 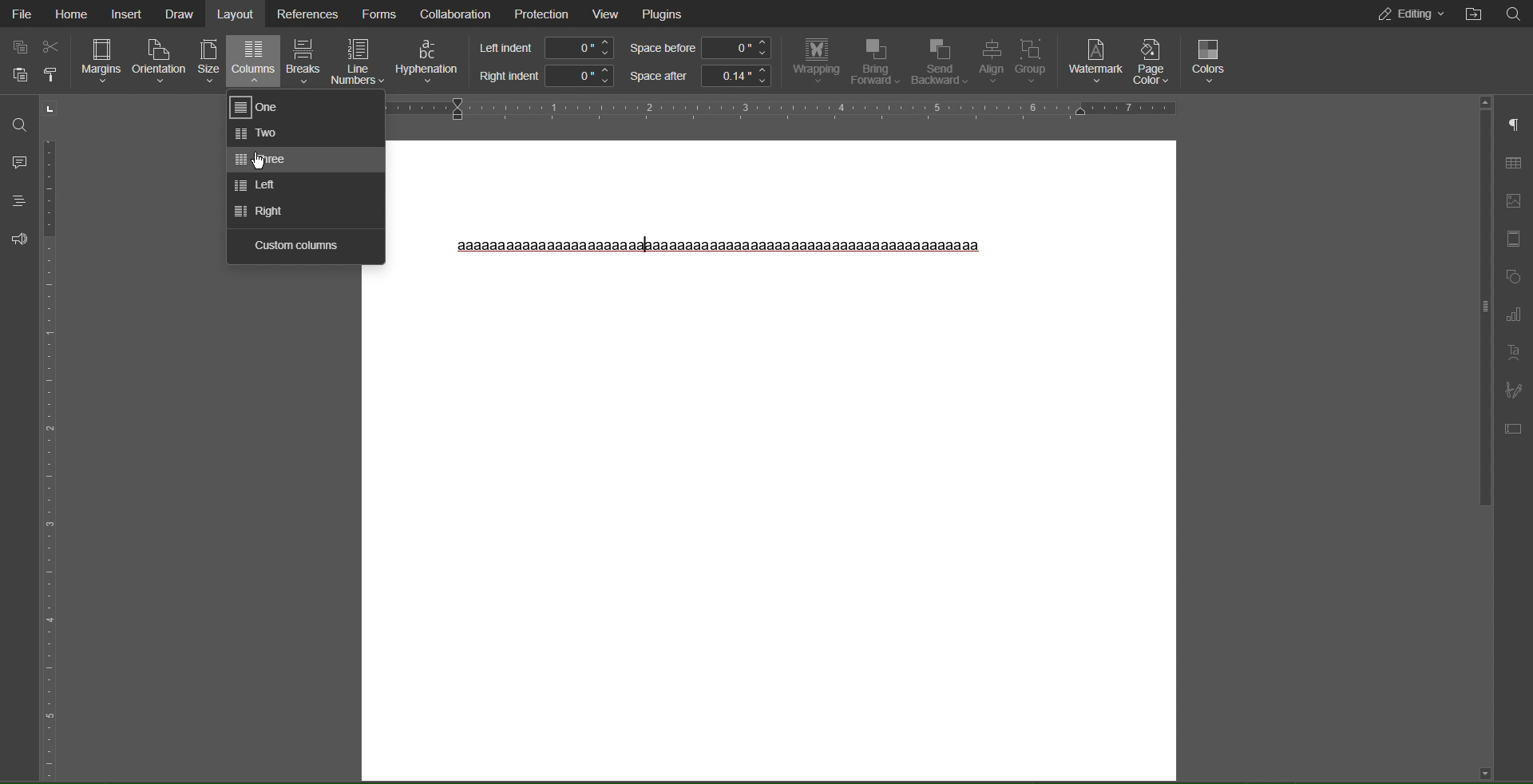 I want to click on Search, so click(x=1513, y=14).